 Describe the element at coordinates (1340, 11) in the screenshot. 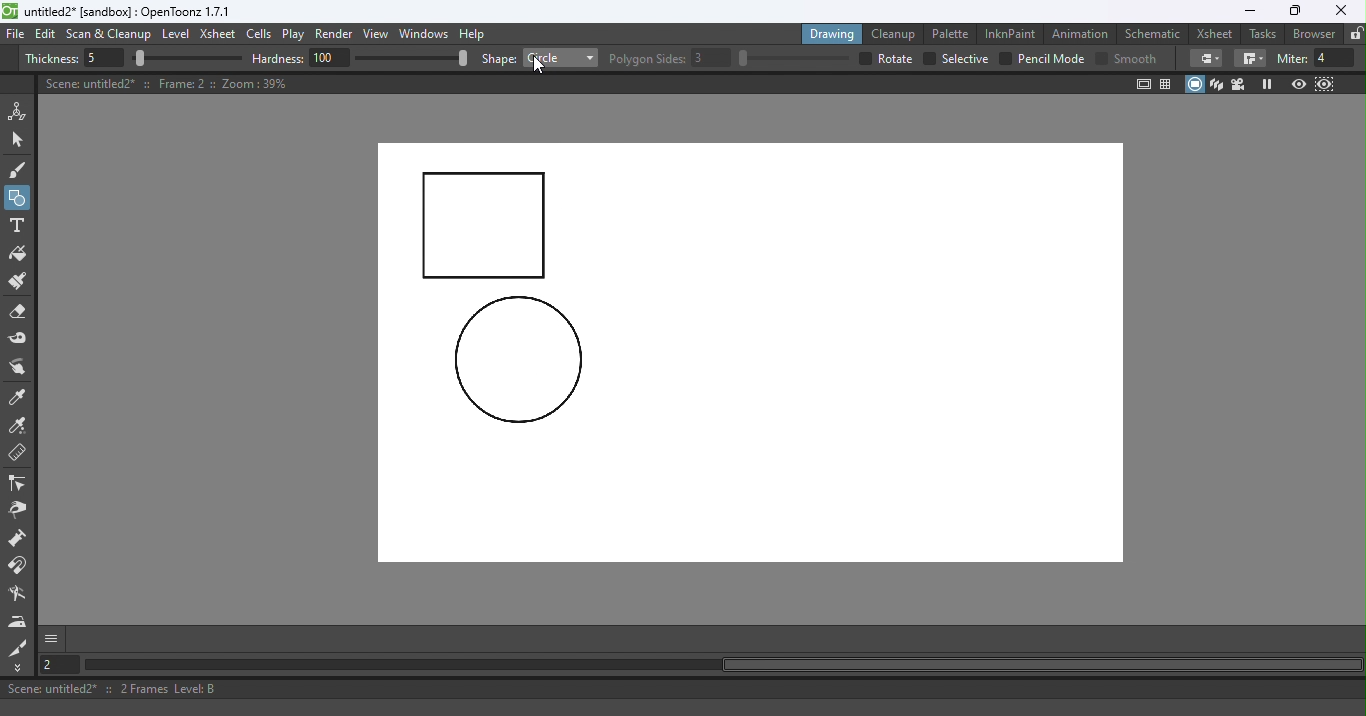

I see `Close` at that location.